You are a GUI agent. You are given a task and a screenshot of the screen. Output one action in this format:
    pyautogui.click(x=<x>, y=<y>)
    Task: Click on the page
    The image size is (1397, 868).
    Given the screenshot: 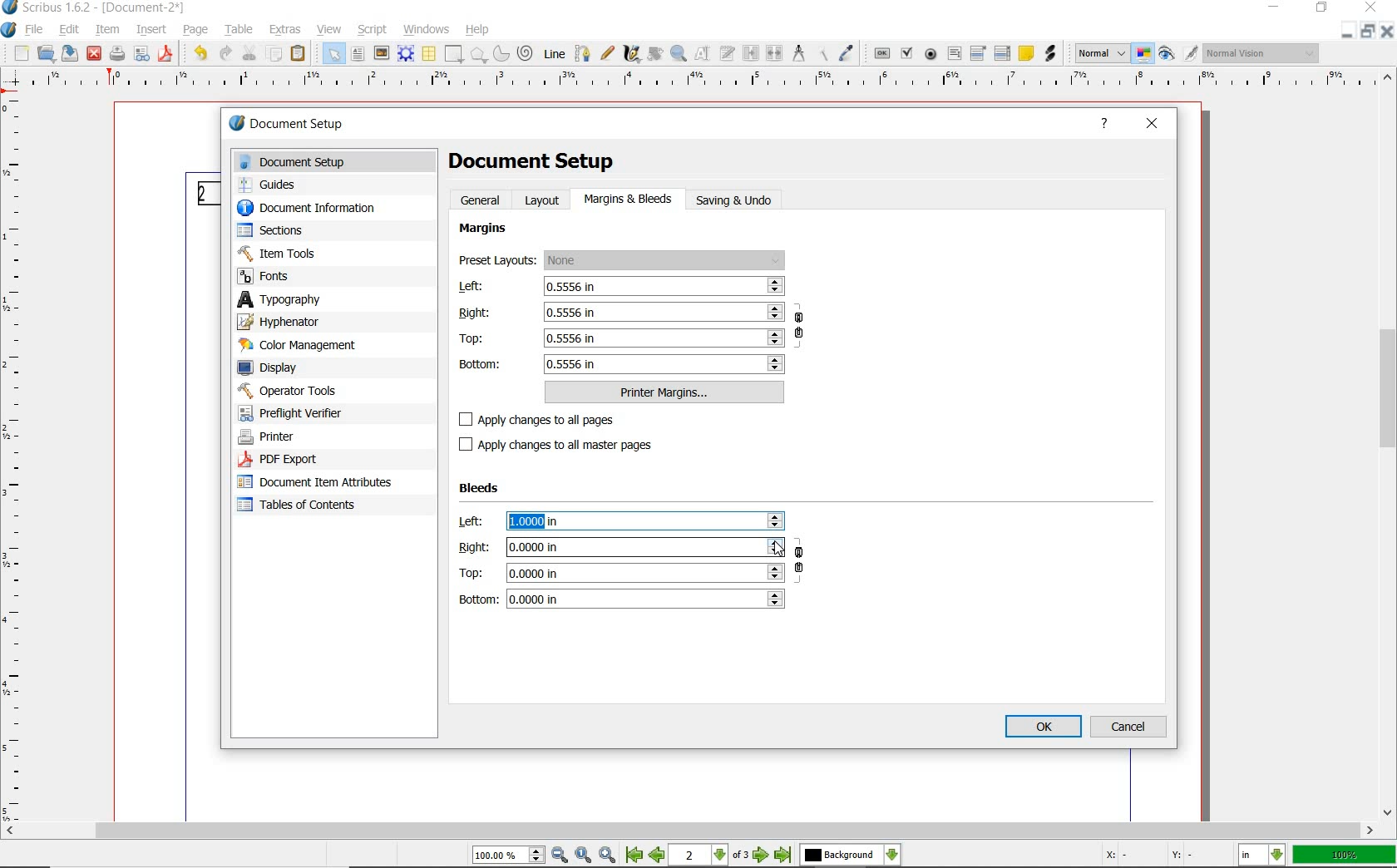 What is the action you would take?
    pyautogui.click(x=197, y=31)
    